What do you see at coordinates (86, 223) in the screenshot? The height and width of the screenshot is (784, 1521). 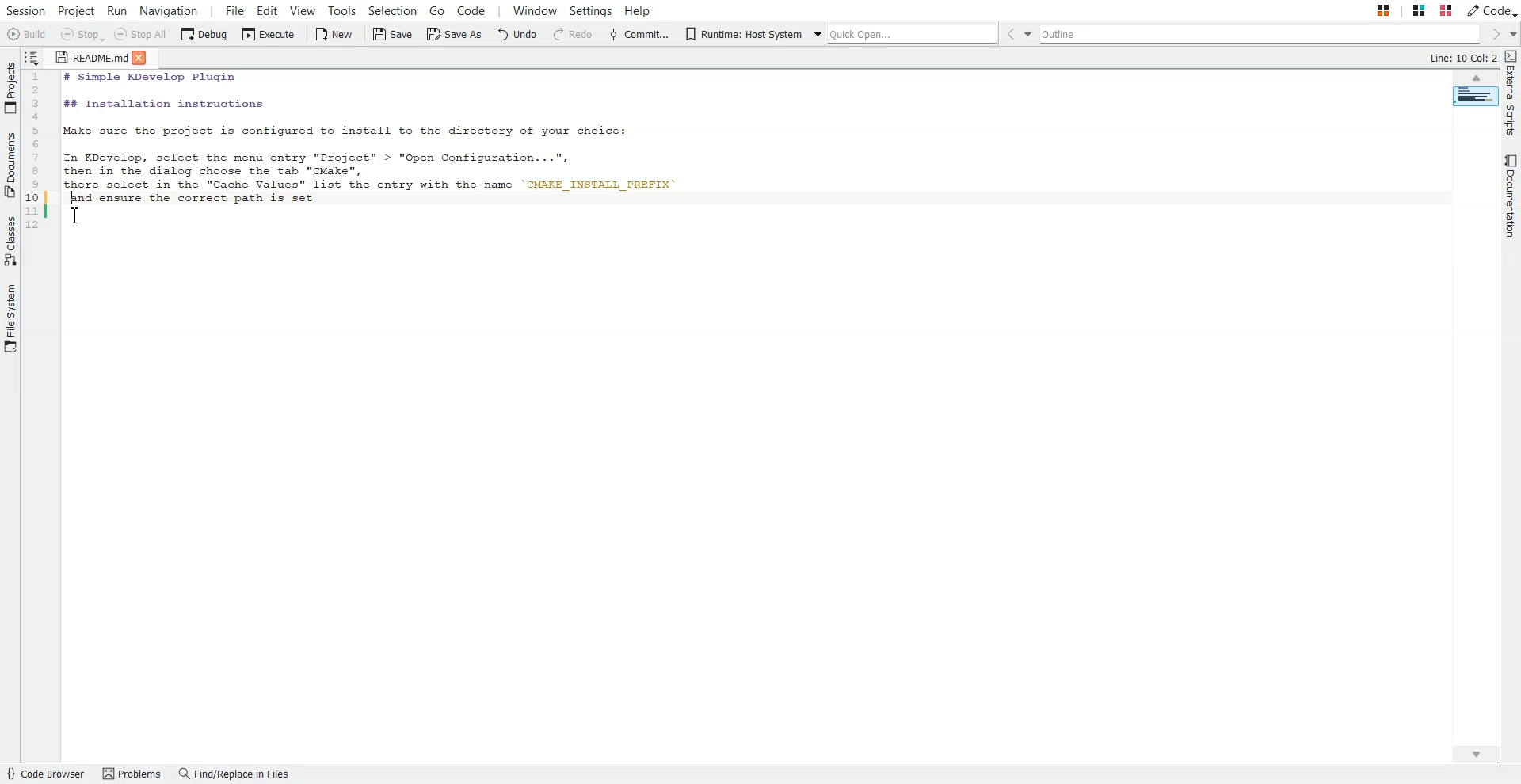 I see `Pointer` at bounding box center [86, 223].